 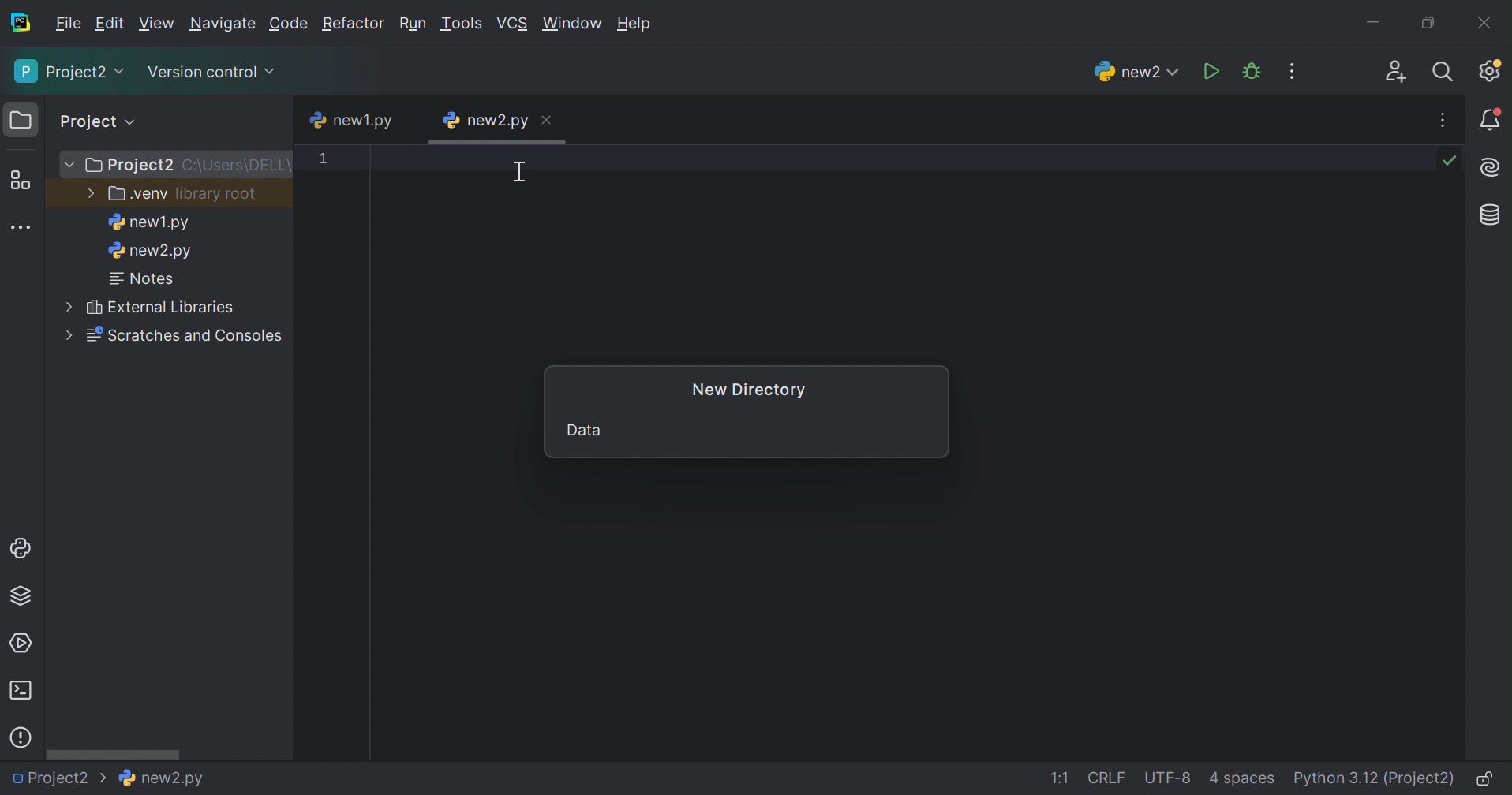 What do you see at coordinates (148, 224) in the screenshot?
I see `new1.py` at bounding box center [148, 224].